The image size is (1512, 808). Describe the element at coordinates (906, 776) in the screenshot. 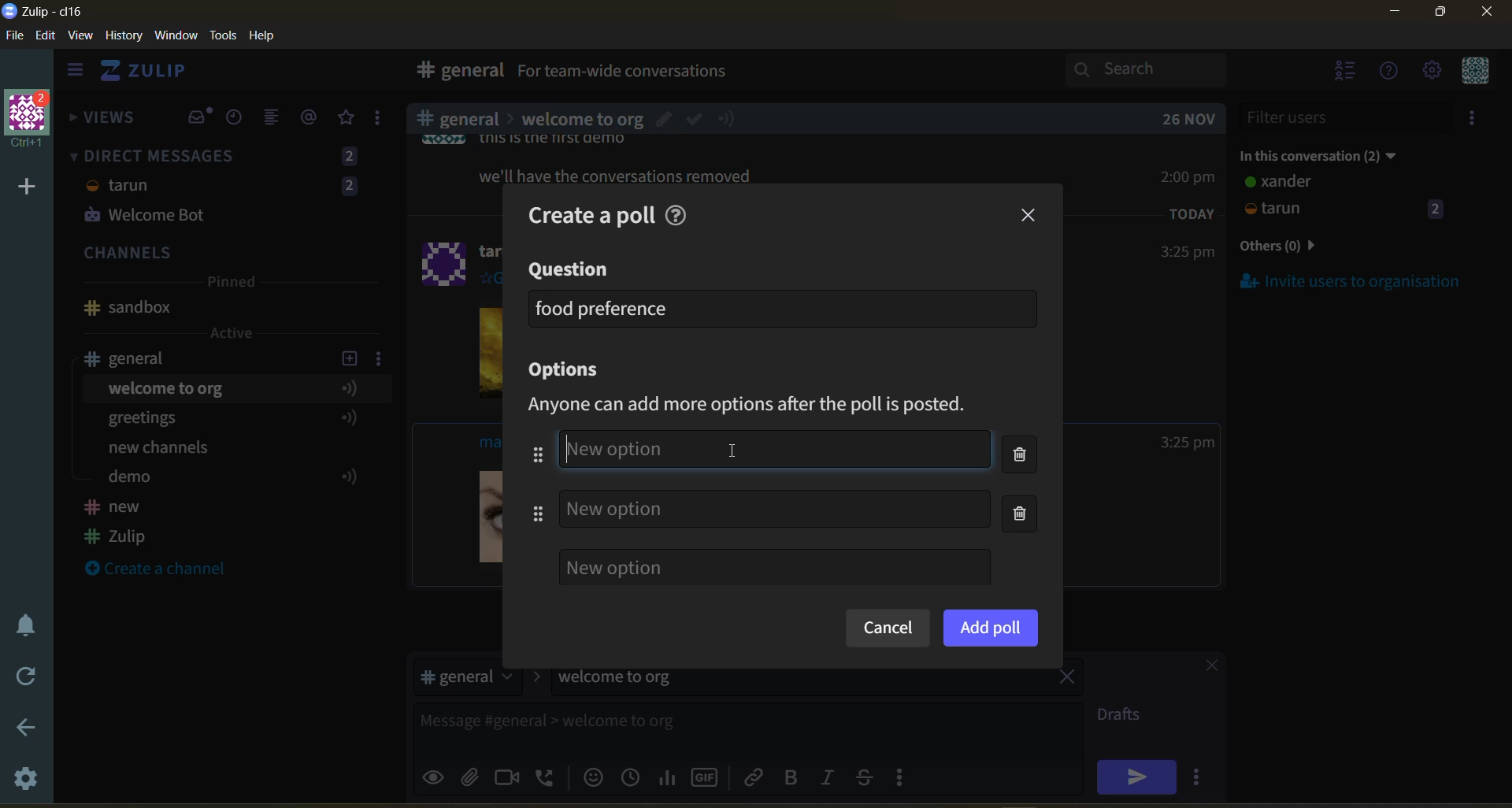

I see `compose actions` at that location.